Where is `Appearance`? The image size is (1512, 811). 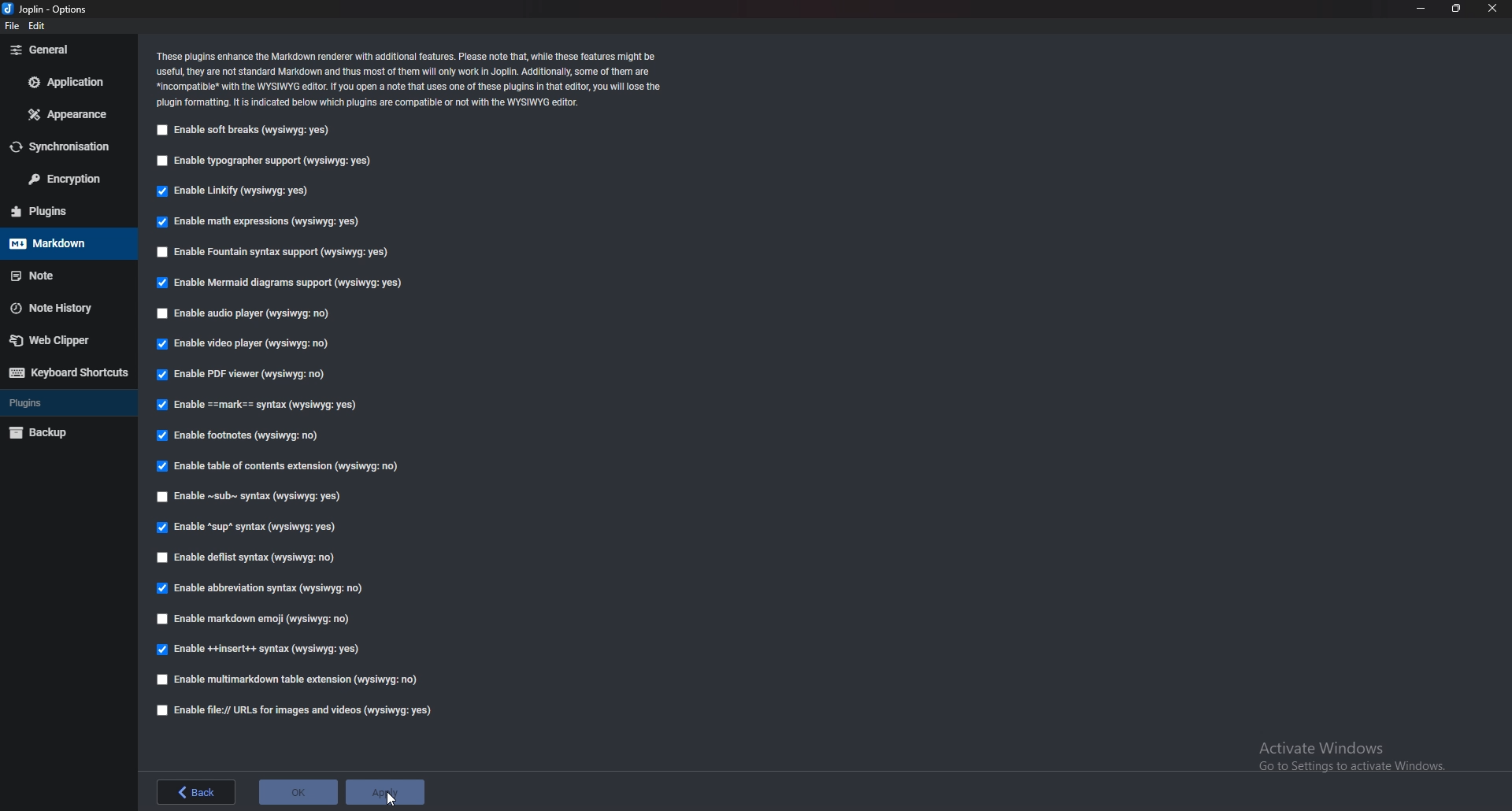
Appearance is located at coordinates (69, 116).